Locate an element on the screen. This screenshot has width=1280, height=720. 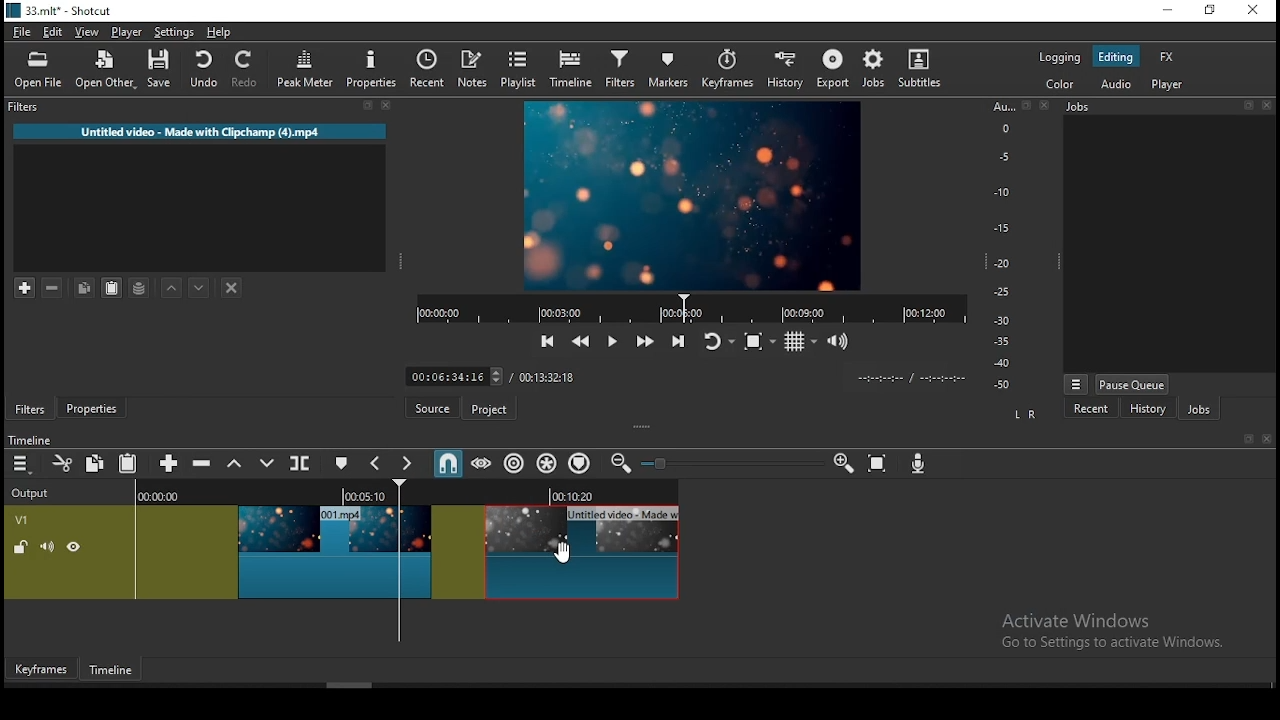
view is located at coordinates (90, 34).